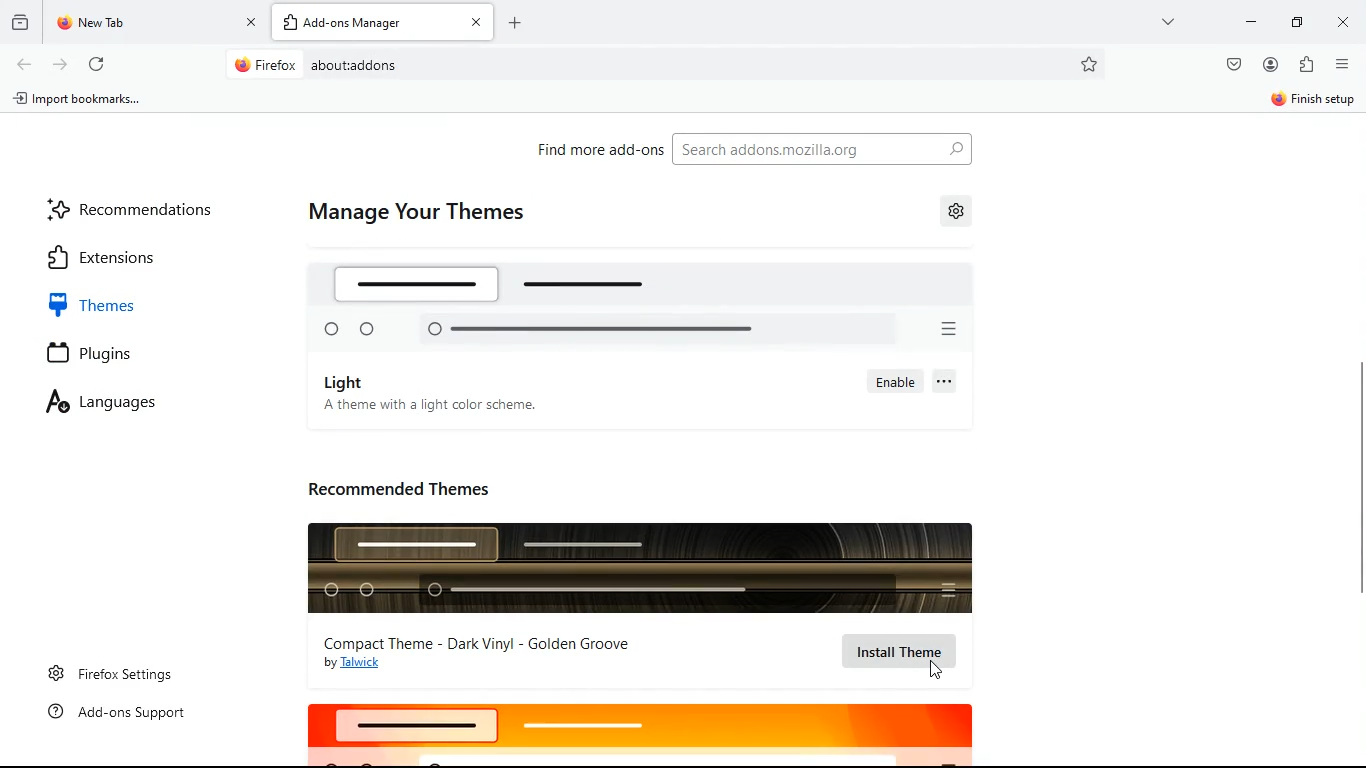 The image size is (1366, 768). I want to click on minimize, so click(1246, 20).